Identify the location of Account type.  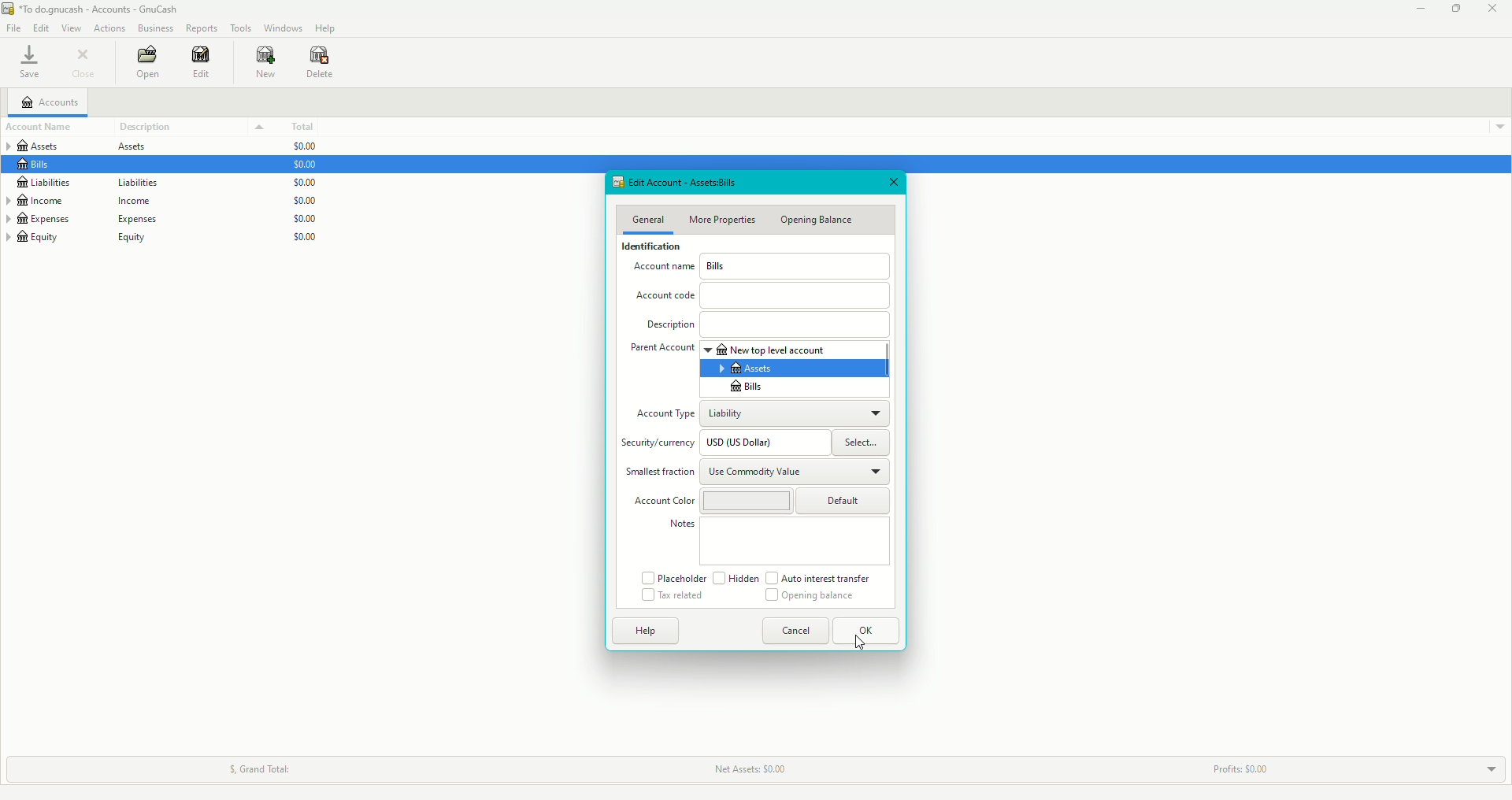
(662, 415).